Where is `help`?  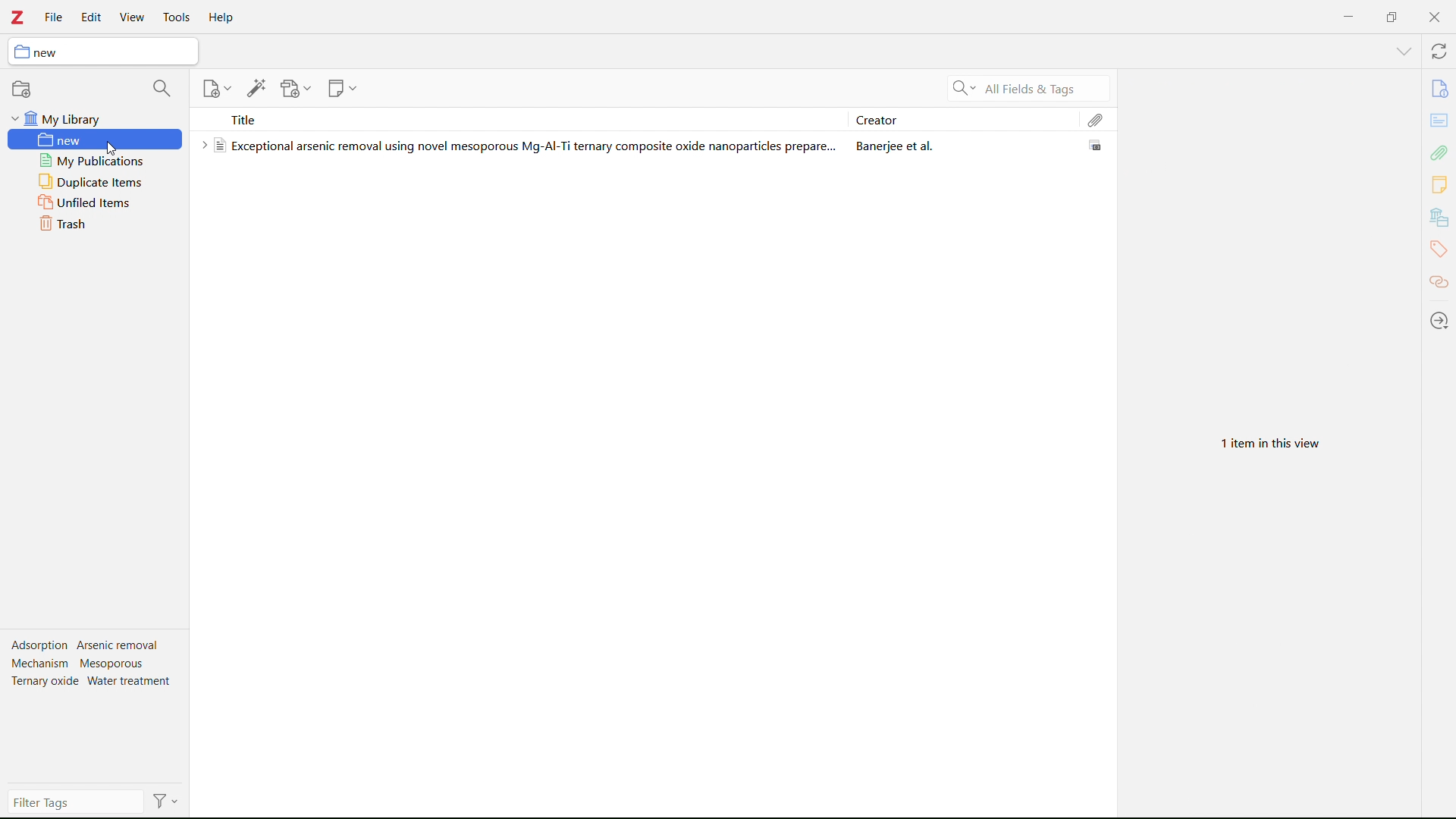
help is located at coordinates (221, 17).